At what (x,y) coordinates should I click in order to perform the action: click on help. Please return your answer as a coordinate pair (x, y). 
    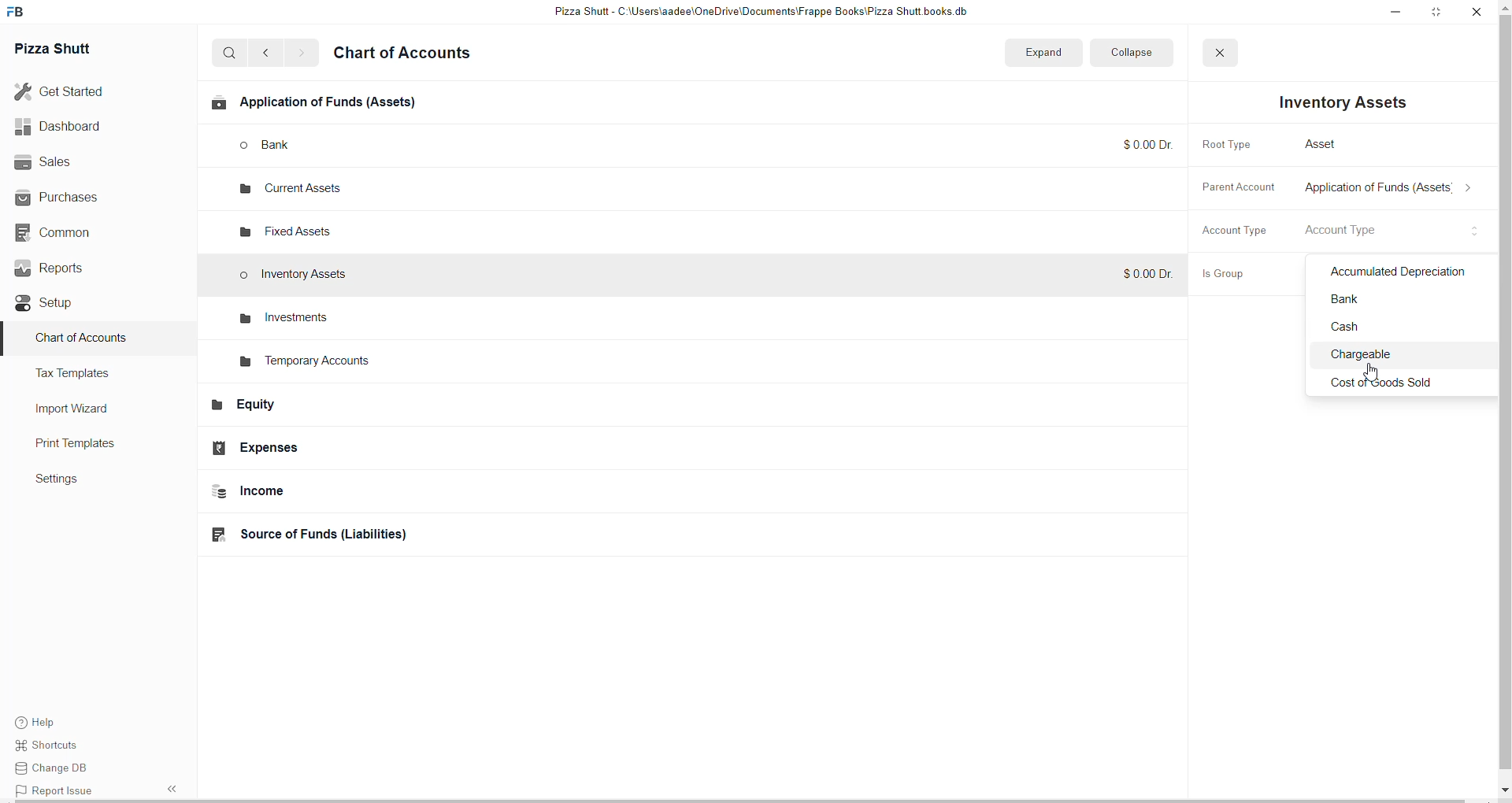
    Looking at the image, I should click on (51, 722).